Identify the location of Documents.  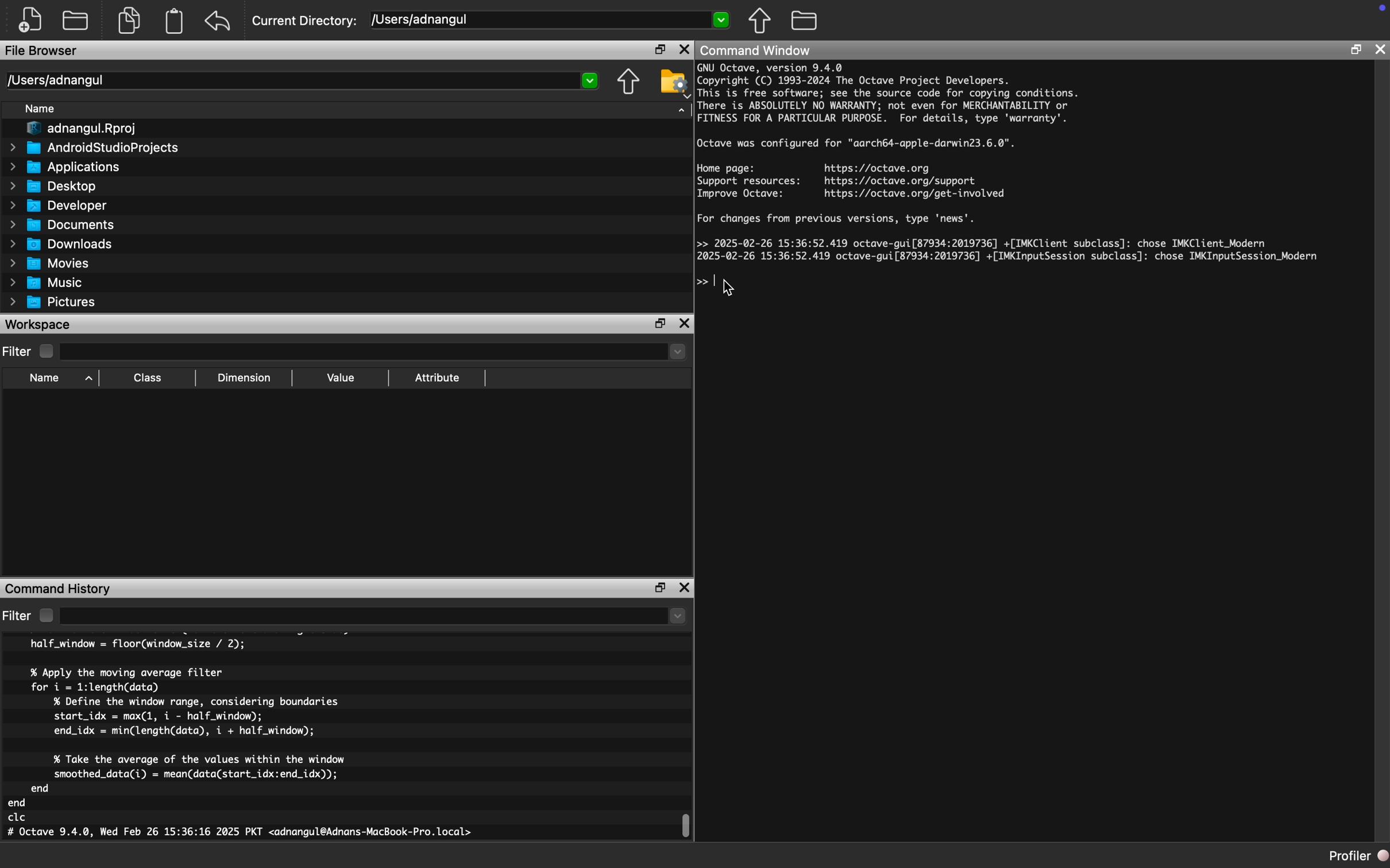
(64, 226).